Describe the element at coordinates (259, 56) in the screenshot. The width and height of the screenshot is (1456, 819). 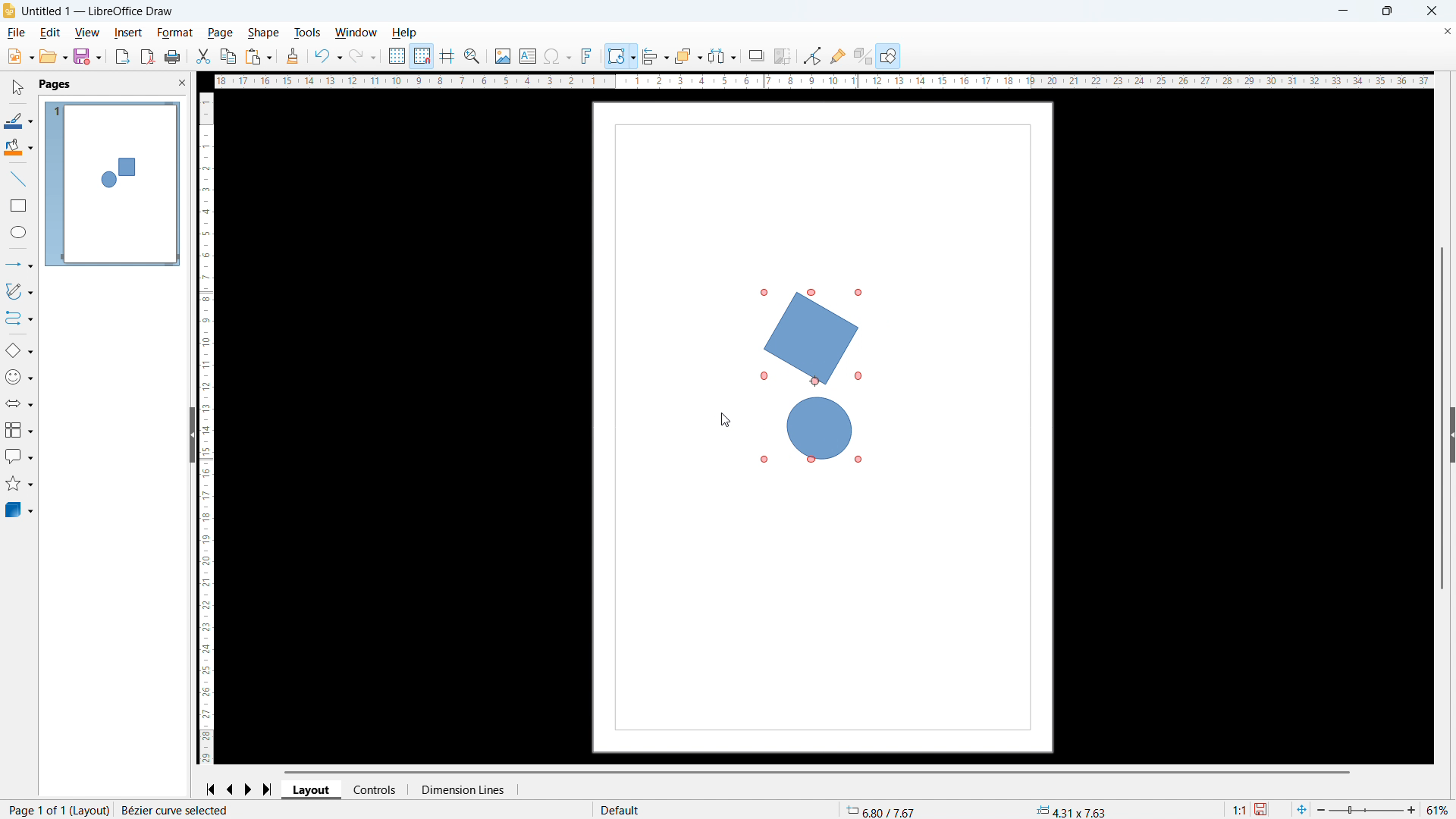
I see `Paste ` at that location.